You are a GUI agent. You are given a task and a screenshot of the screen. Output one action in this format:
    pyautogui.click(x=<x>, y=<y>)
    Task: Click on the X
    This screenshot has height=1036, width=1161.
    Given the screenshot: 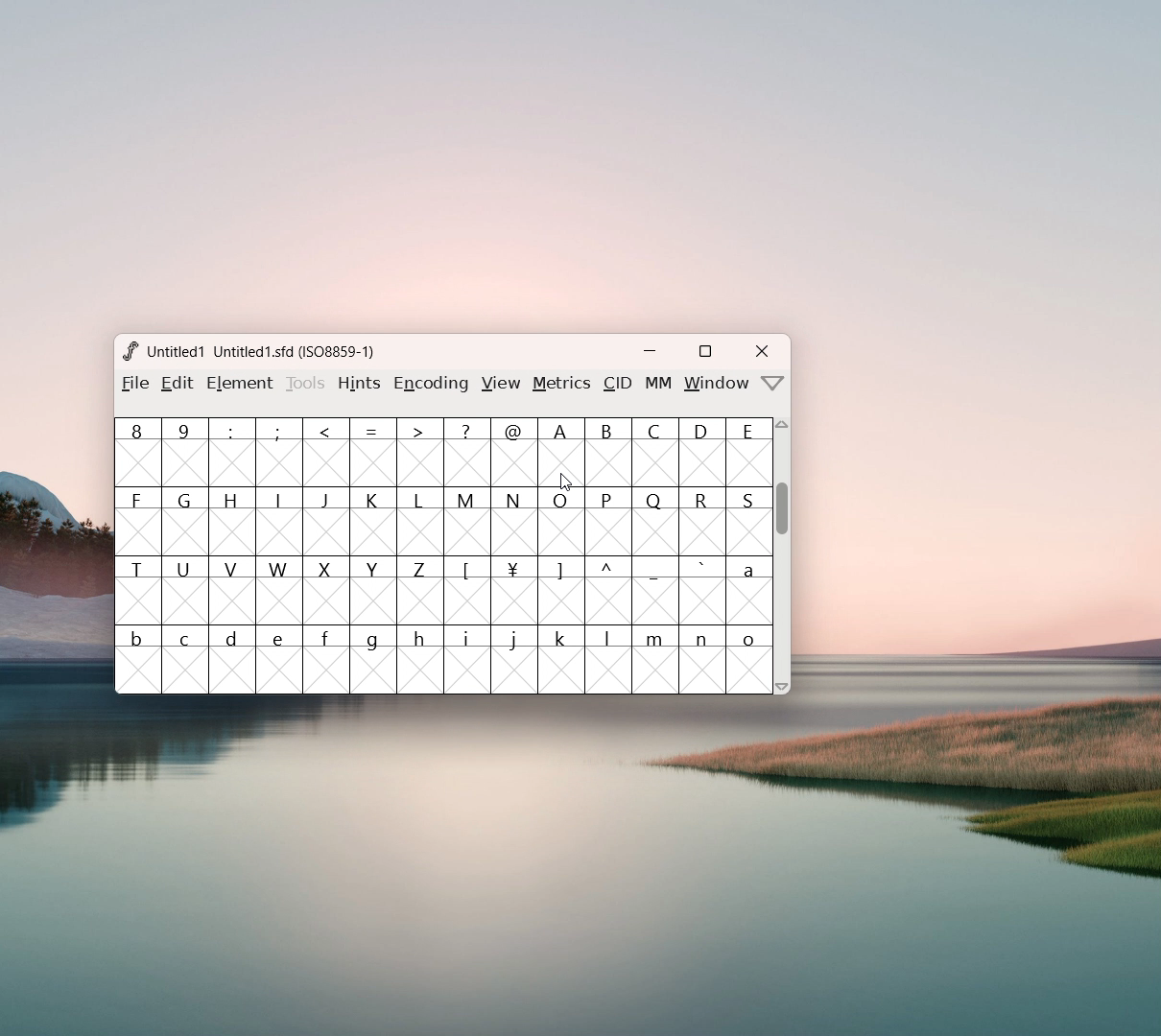 What is the action you would take?
    pyautogui.click(x=326, y=591)
    